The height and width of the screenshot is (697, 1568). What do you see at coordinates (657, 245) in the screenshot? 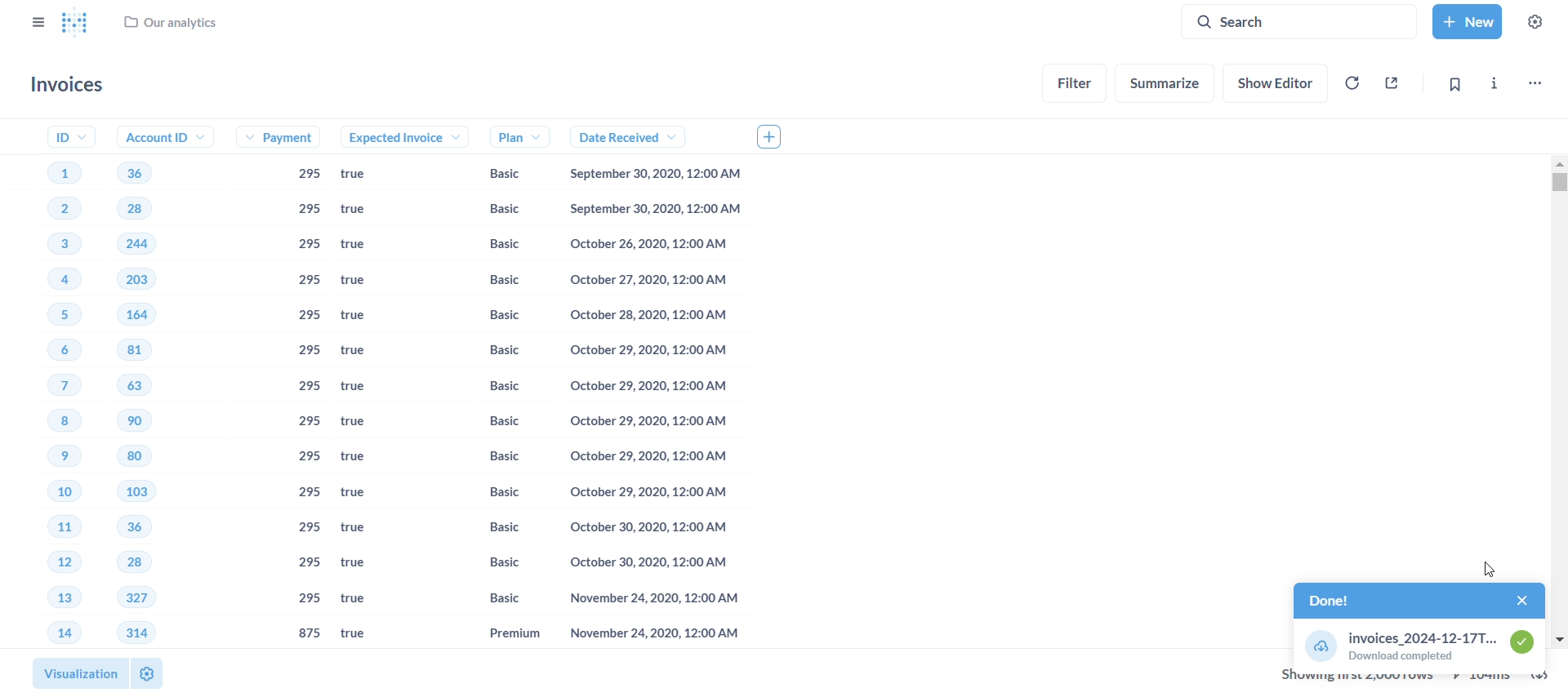
I see `October 26,2020, 12:00 AM` at bounding box center [657, 245].